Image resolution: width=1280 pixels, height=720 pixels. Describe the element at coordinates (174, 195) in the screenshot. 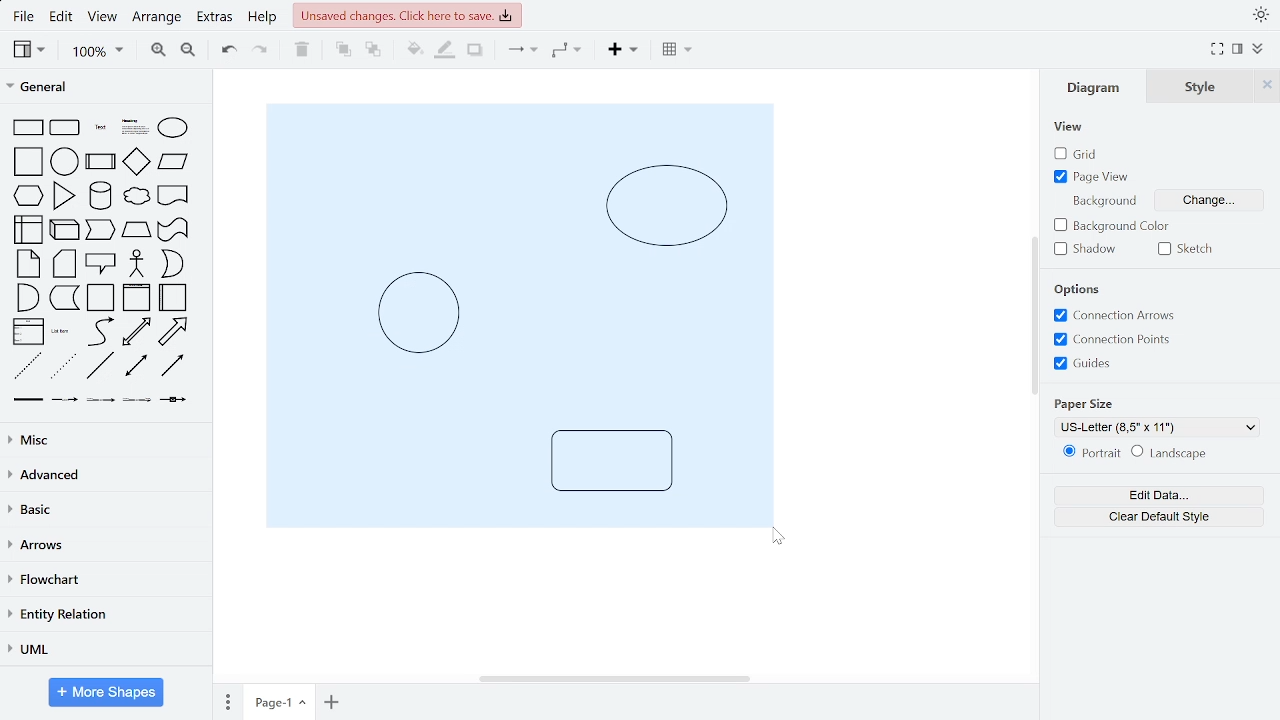

I see `document` at that location.